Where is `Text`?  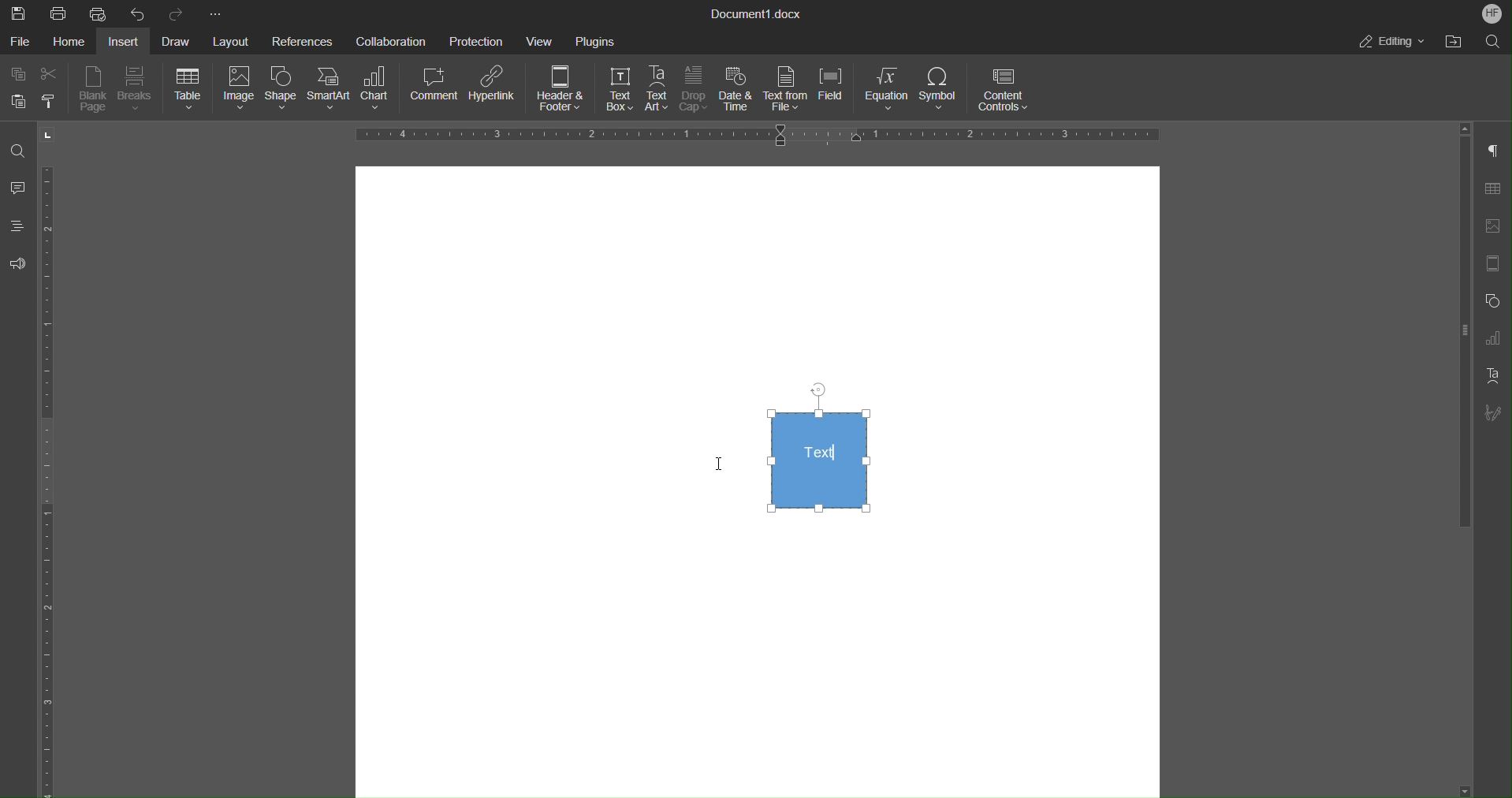
Text is located at coordinates (819, 448).